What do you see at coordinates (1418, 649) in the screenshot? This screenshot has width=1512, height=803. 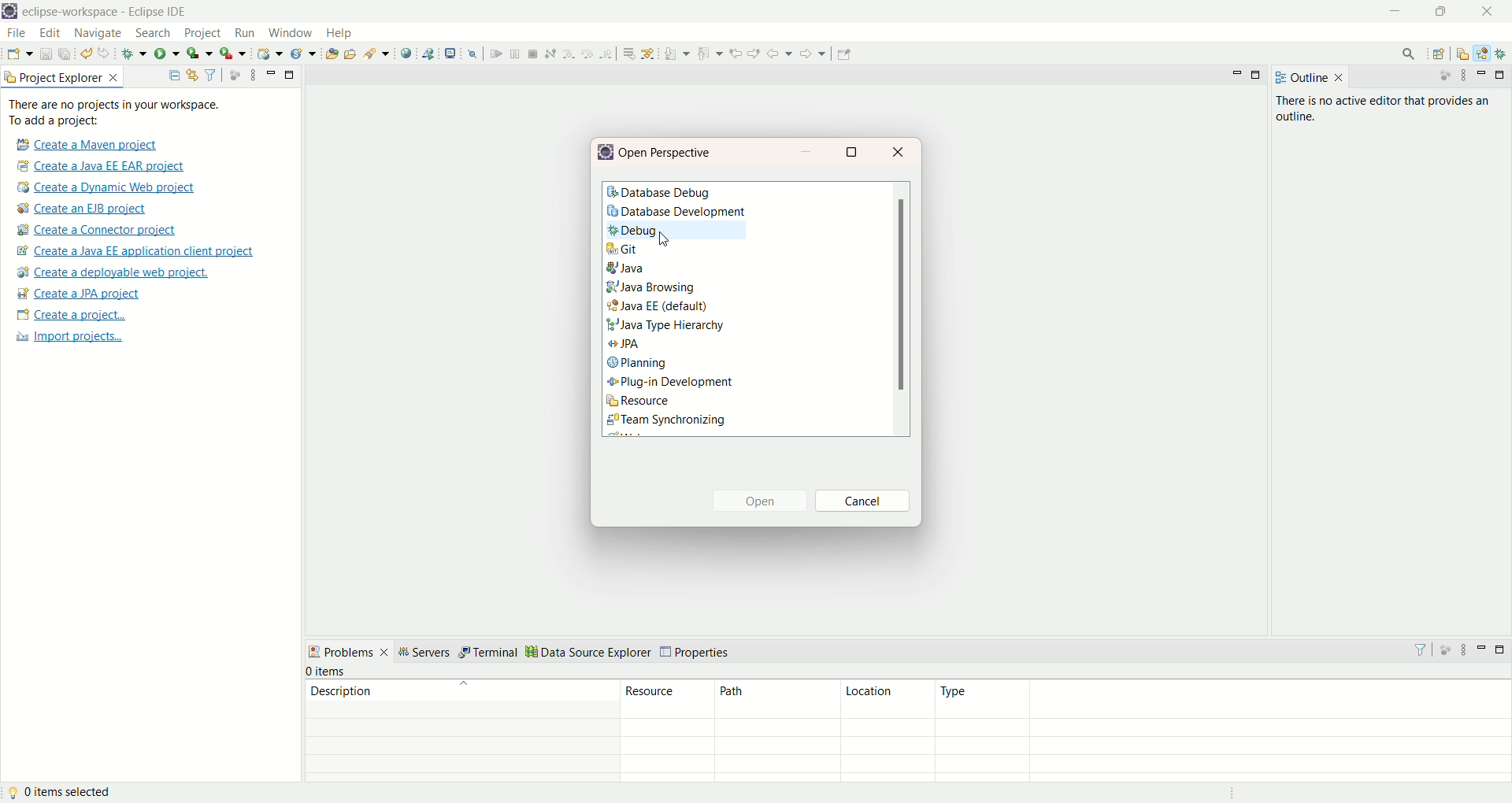 I see `filter` at bounding box center [1418, 649].